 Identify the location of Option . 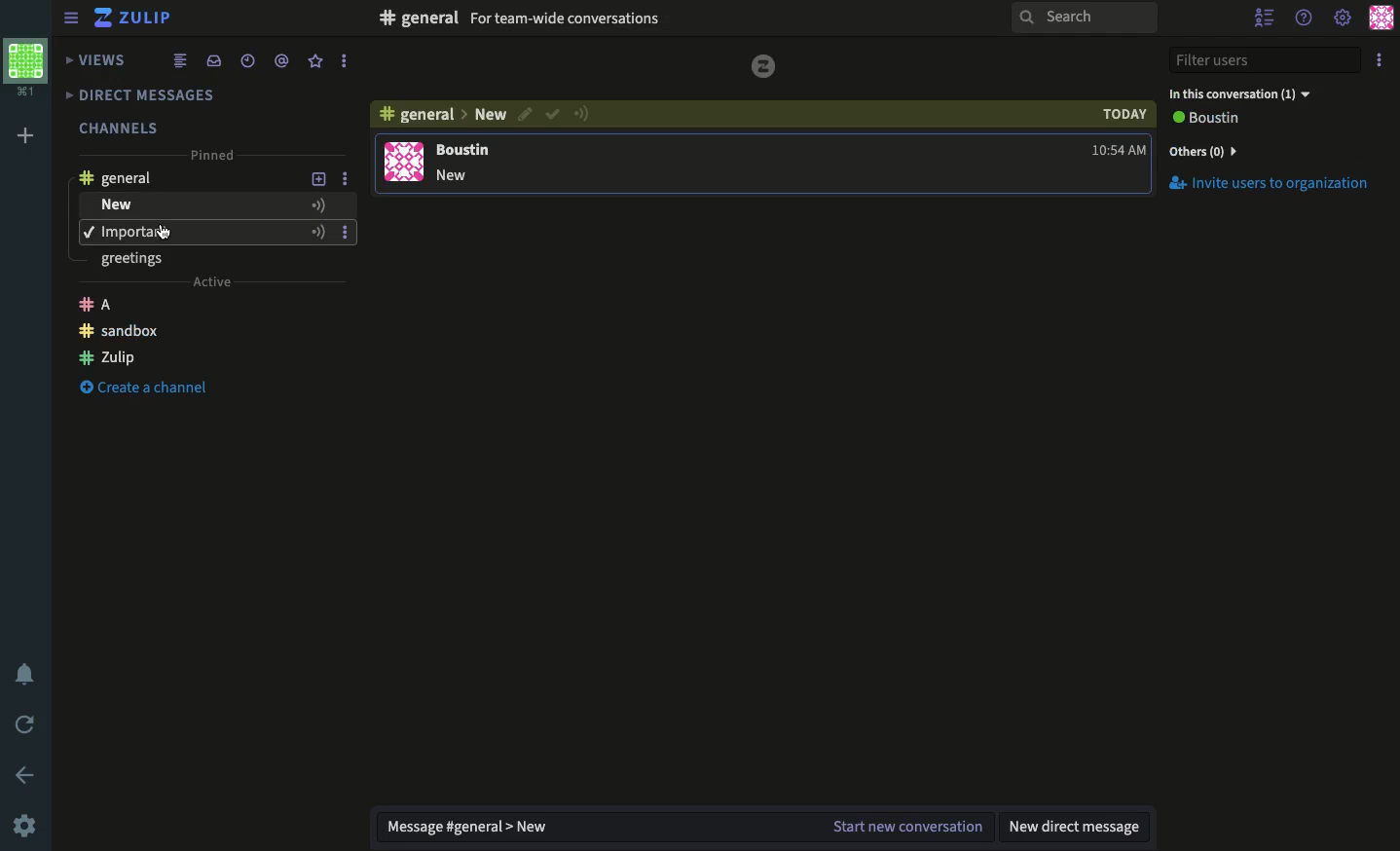
(1378, 60).